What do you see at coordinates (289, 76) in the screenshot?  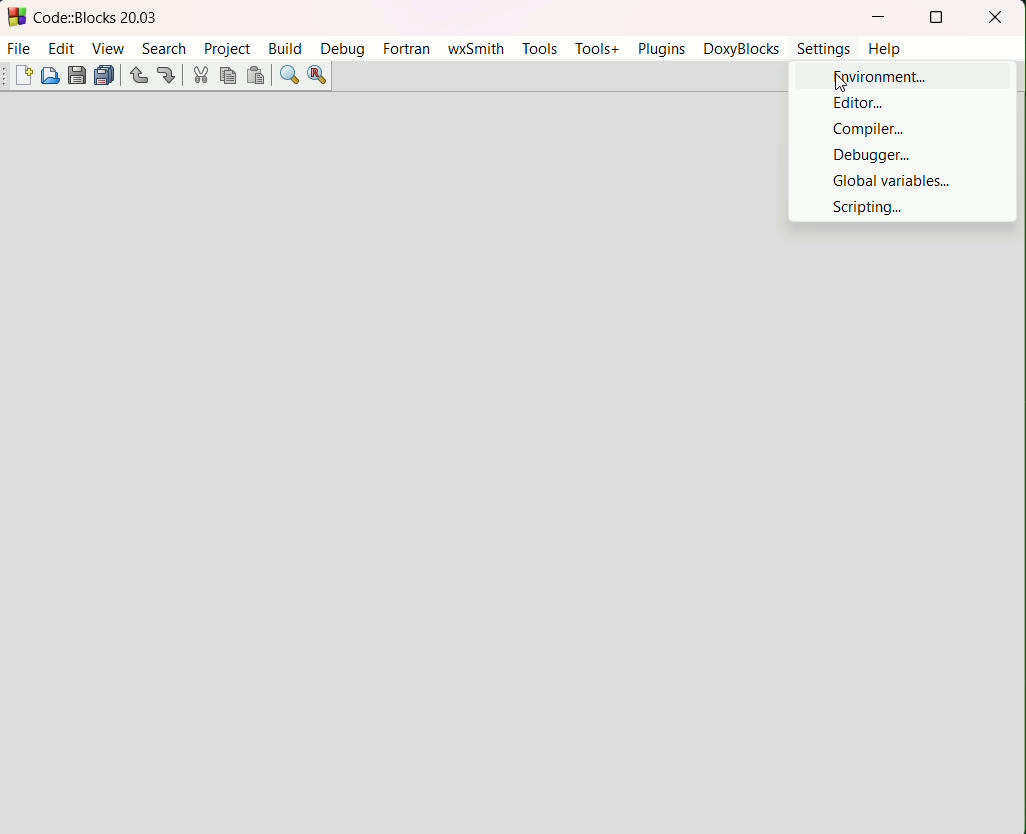 I see `find` at bounding box center [289, 76].